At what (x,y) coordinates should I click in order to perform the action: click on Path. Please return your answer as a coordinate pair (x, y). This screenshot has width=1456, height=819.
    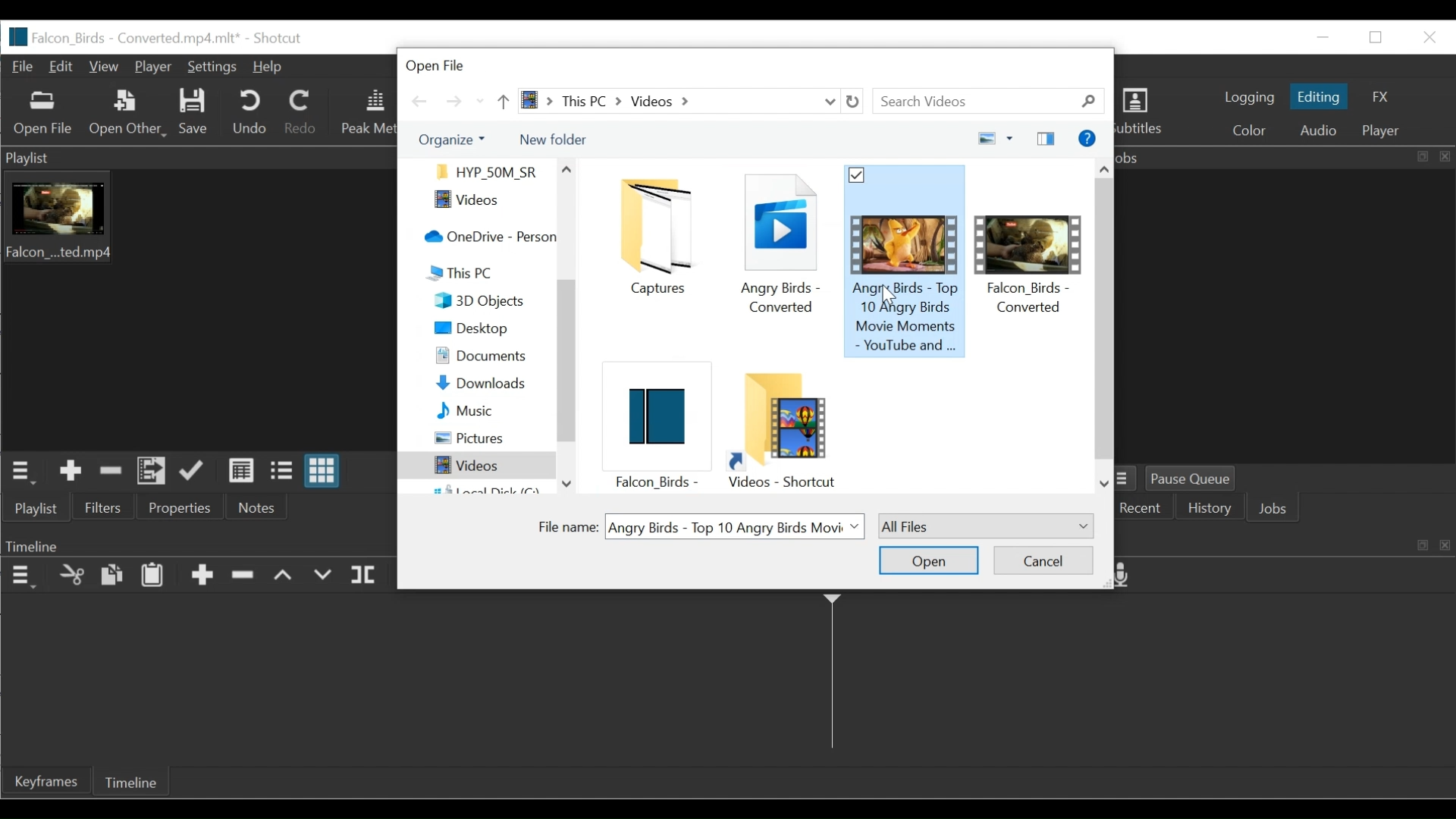
    Looking at the image, I should click on (667, 101).